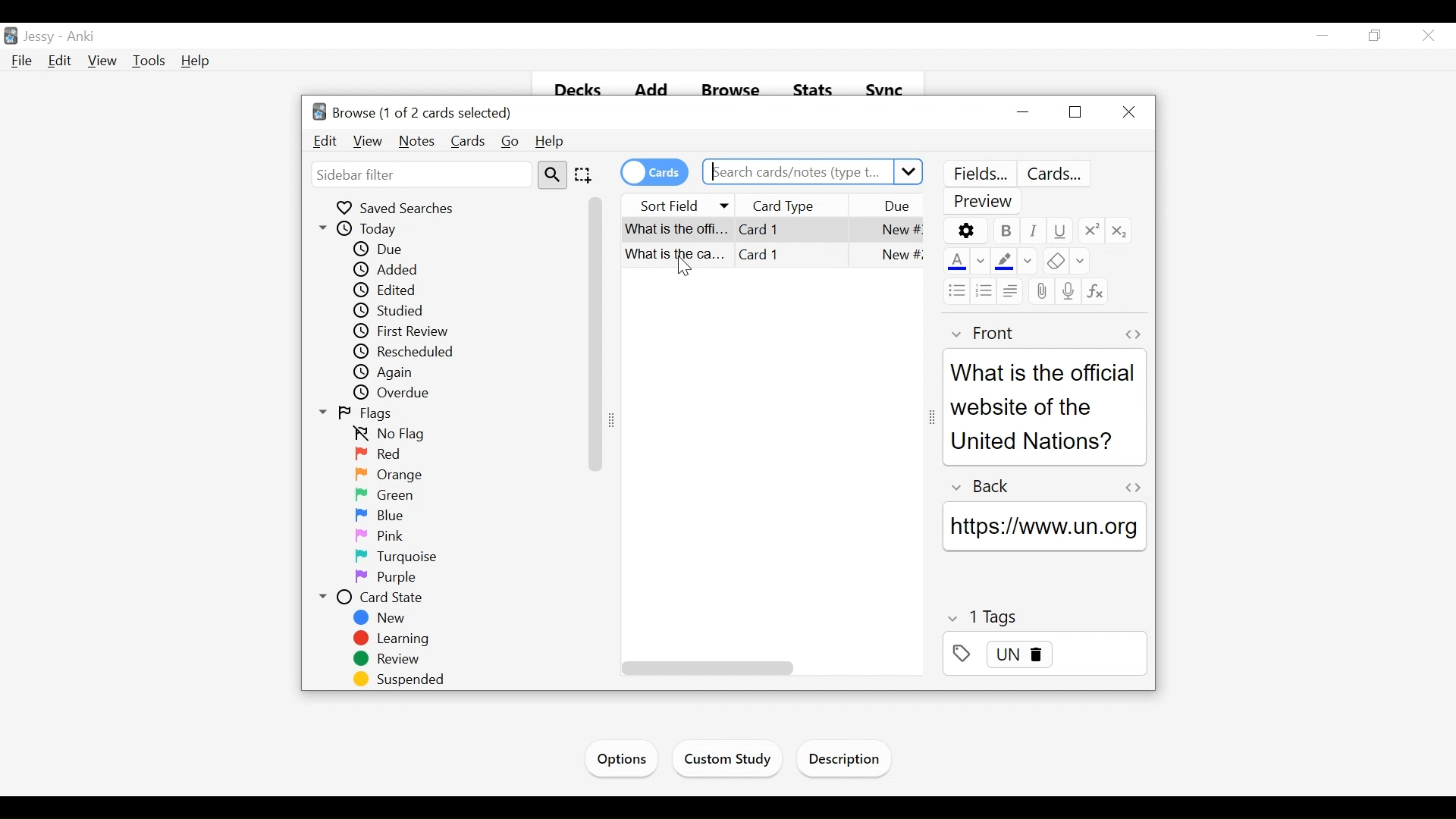 The image size is (1456, 819). What do you see at coordinates (393, 474) in the screenshot?
I see `Orange` at bounding box center [393, 474].